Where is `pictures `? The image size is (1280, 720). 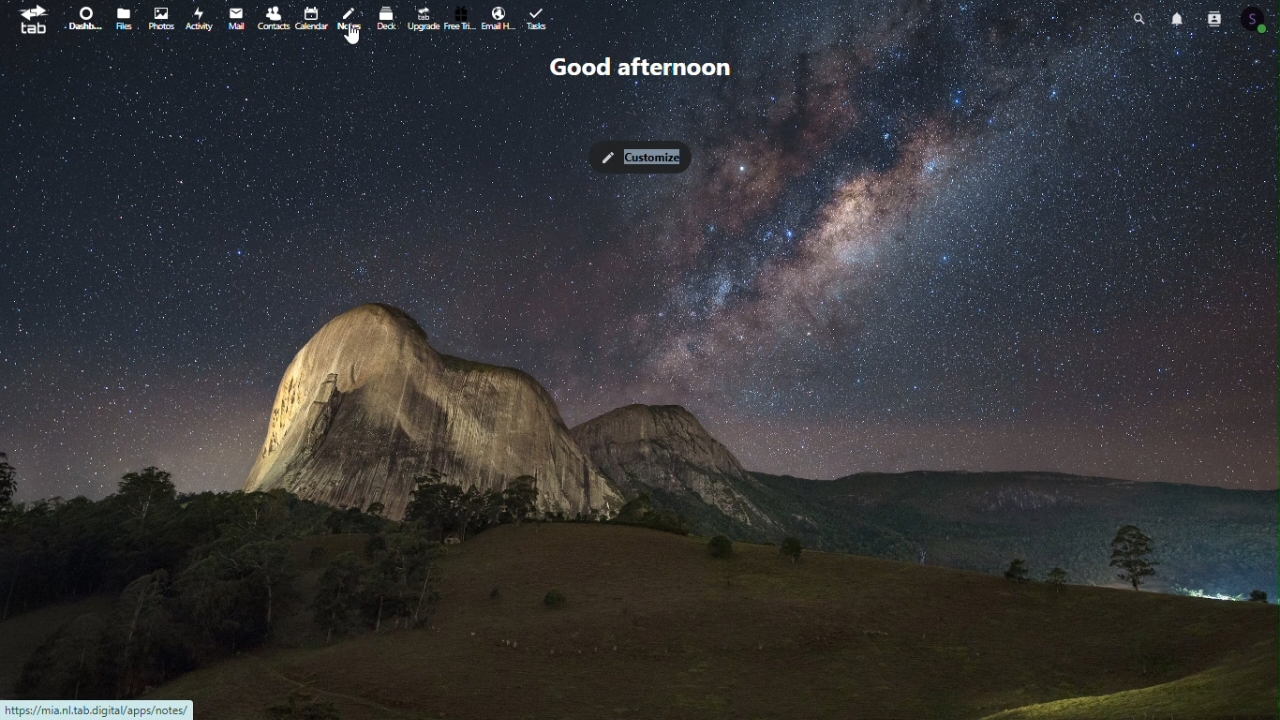 pictures  is located at coordinates (157, 17).